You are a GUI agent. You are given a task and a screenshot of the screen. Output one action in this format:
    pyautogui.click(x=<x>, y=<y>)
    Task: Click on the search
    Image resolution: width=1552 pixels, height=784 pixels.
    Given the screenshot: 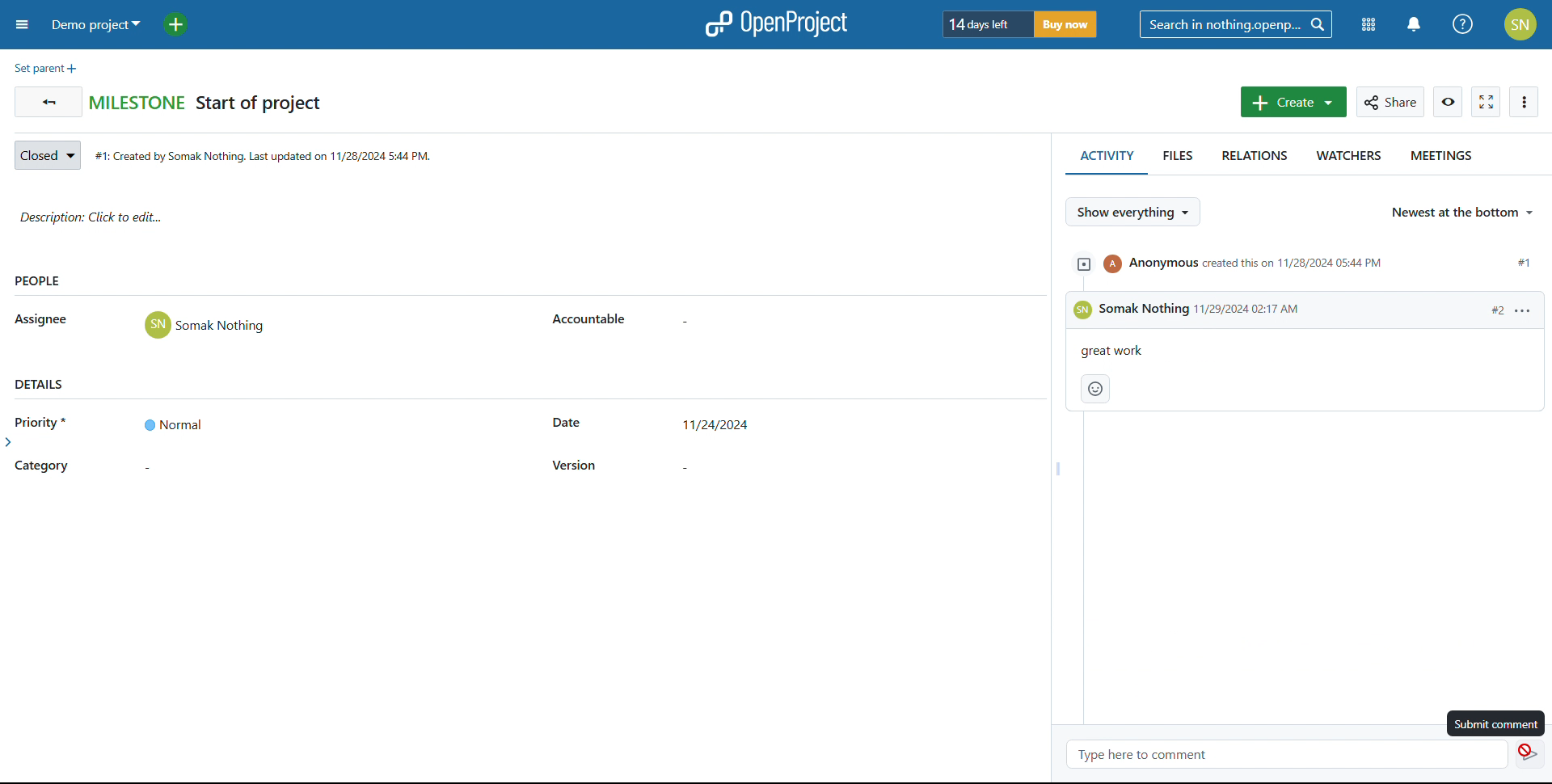 What is the action you would take?
    pyautogui.click(x=1236, y=24)
    